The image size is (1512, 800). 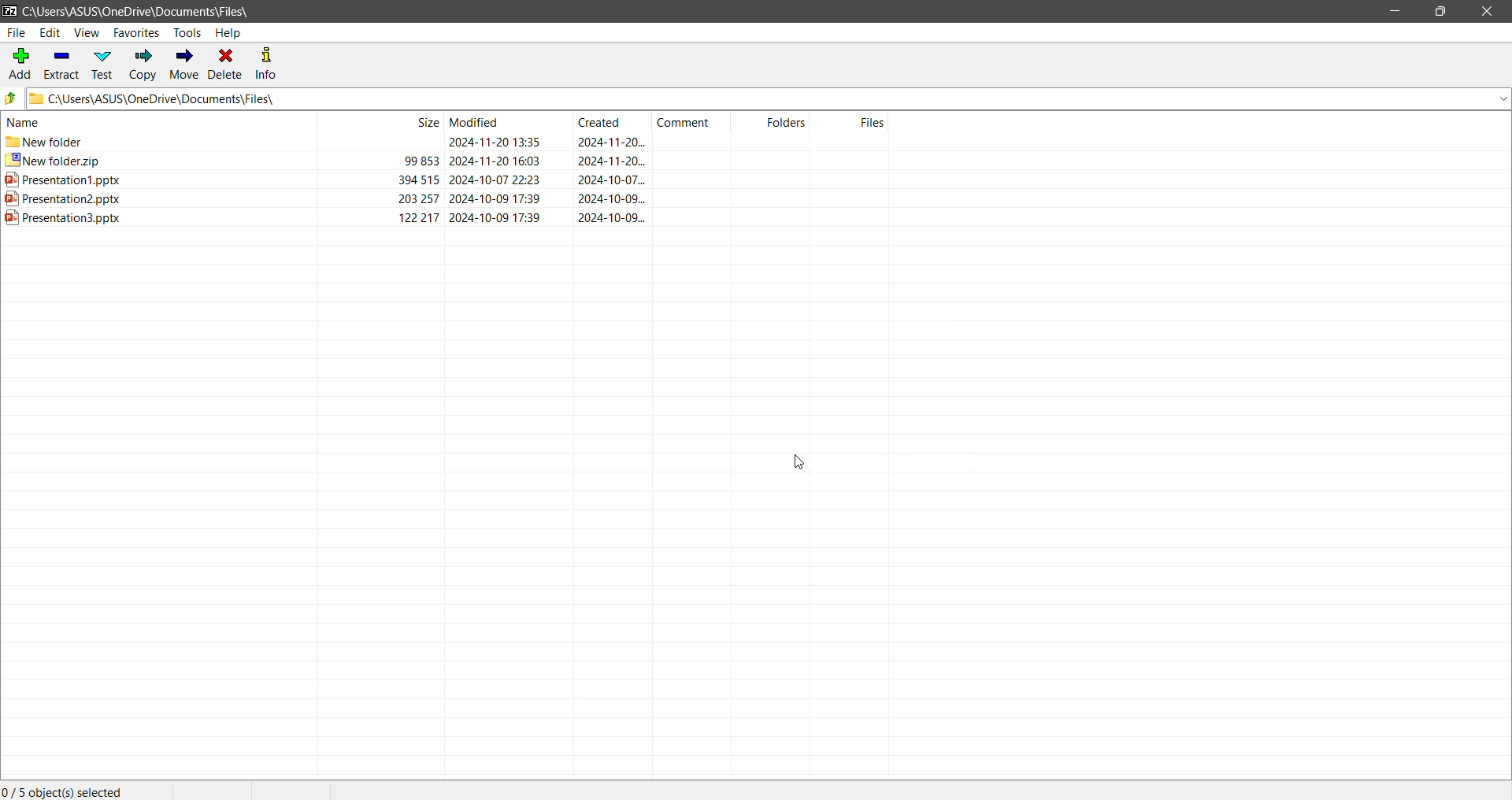 I want to click on View, so click(x=86, y=33).